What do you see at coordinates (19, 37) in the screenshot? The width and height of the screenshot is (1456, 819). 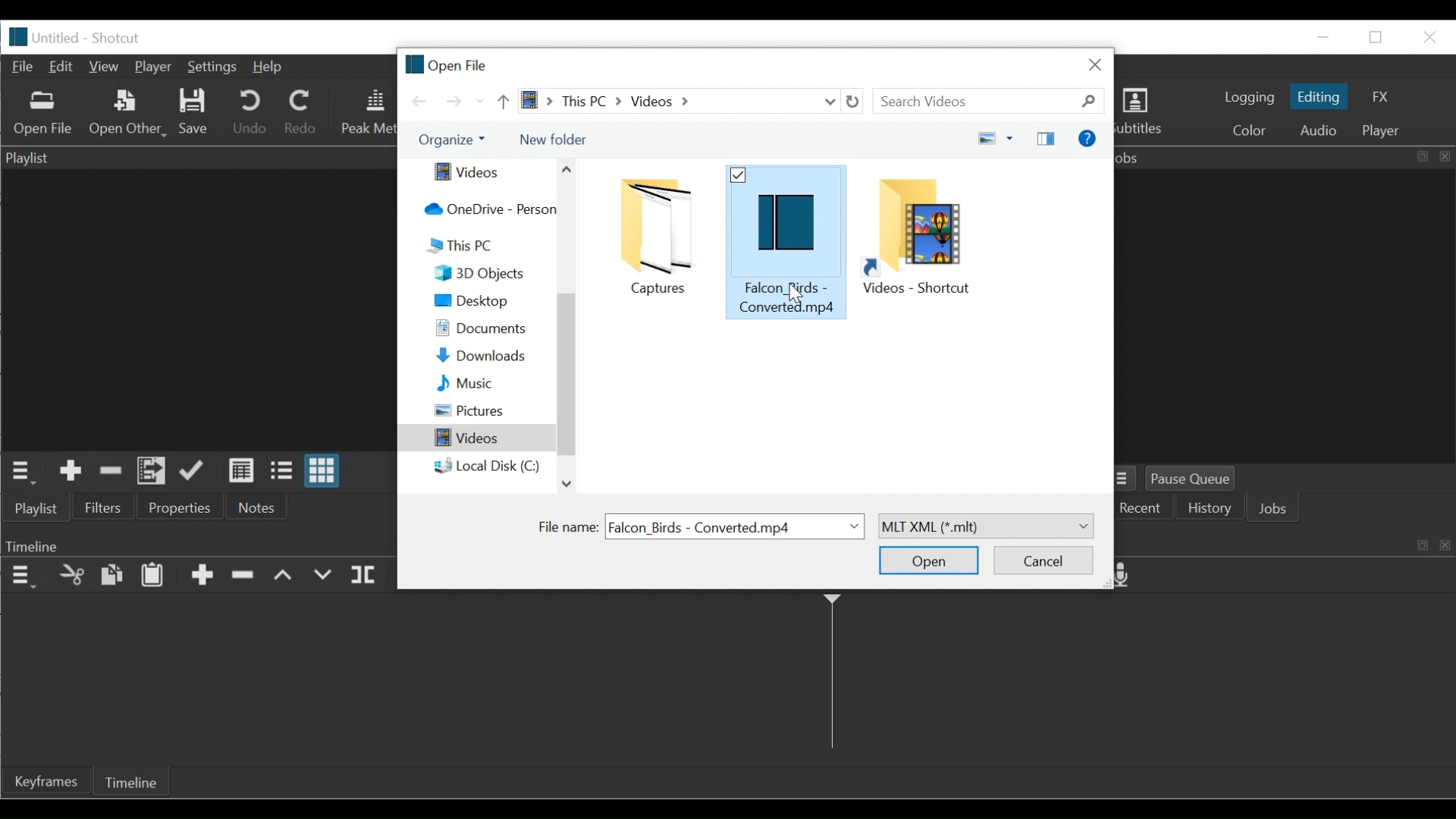 I see `logo` at bounding box center [19, 37].